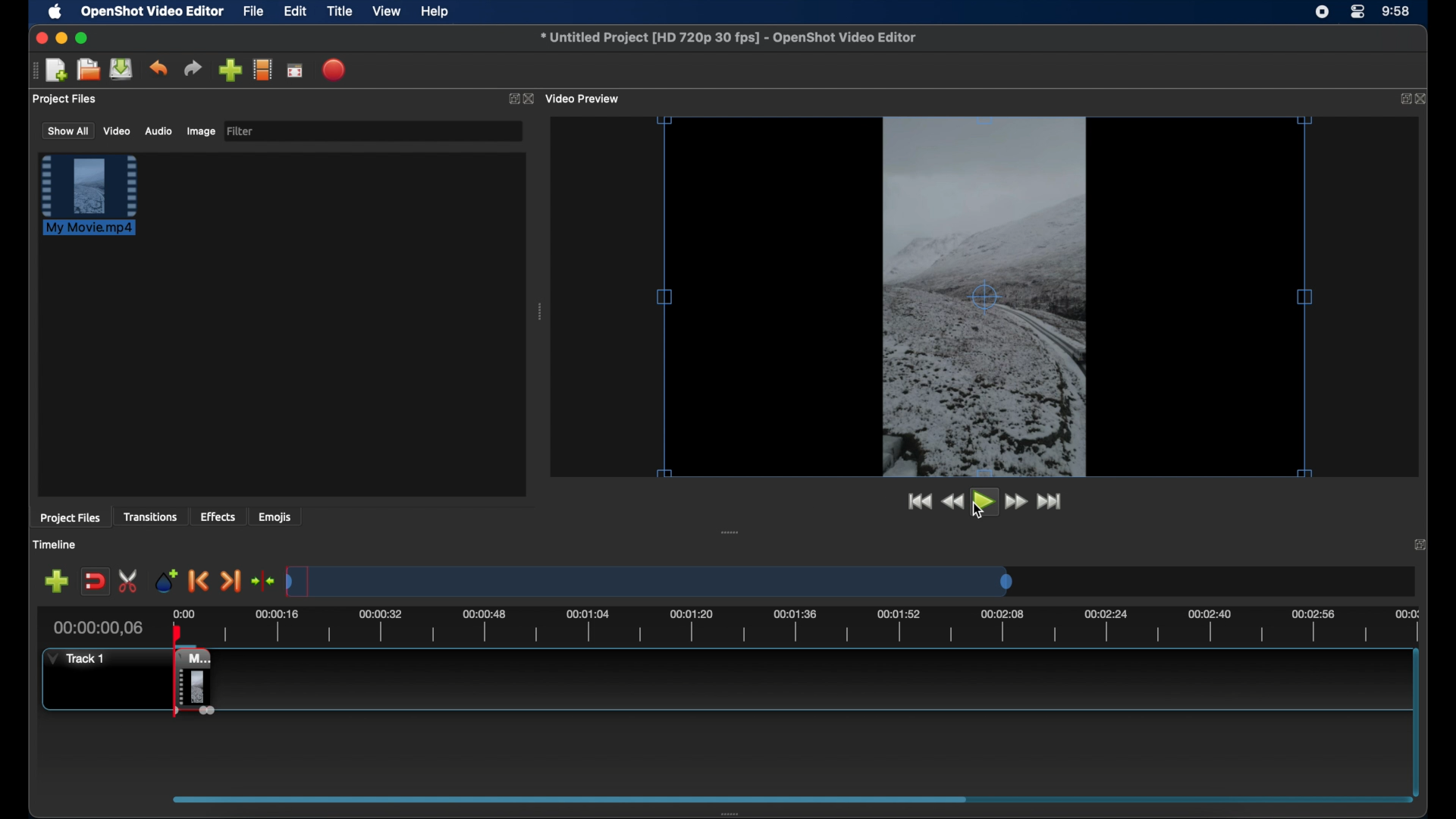  I want to click on enable razor, so click(129, 582).